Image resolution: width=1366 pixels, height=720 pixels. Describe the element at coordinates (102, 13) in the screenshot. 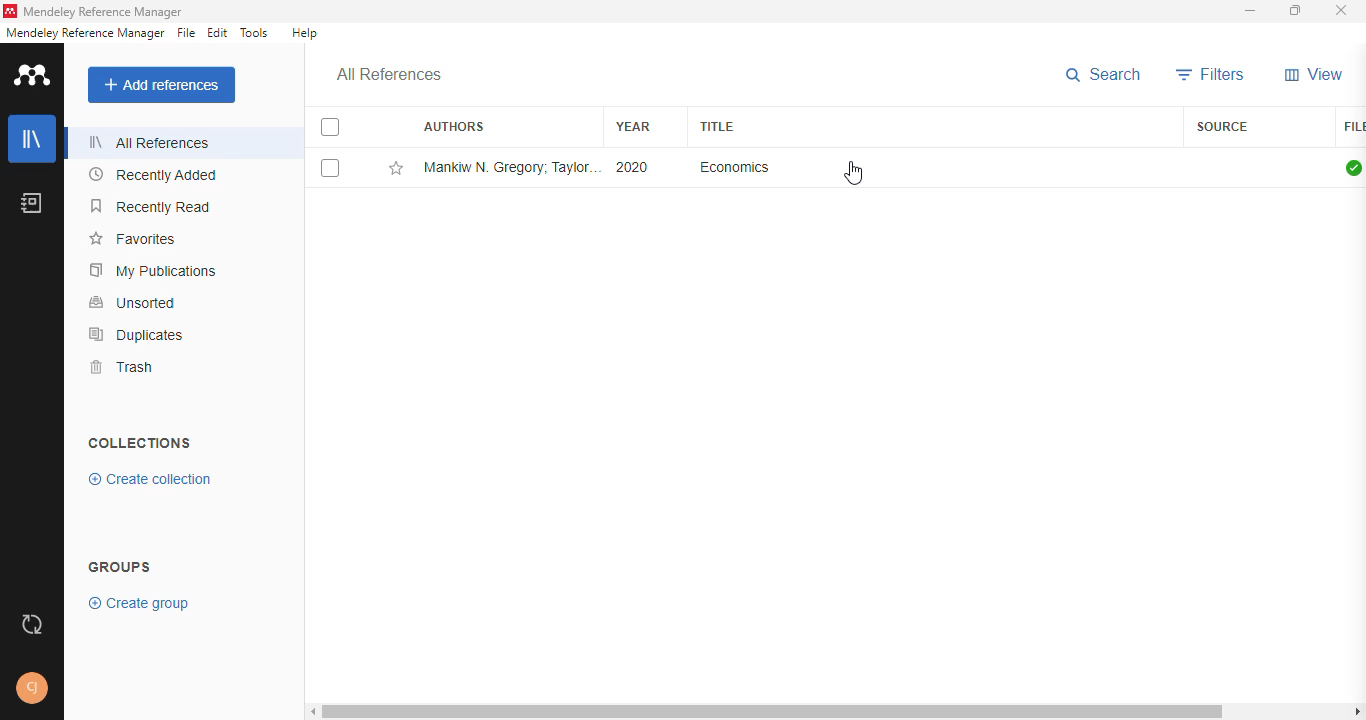

I see `mendeley reference manager` at that location.